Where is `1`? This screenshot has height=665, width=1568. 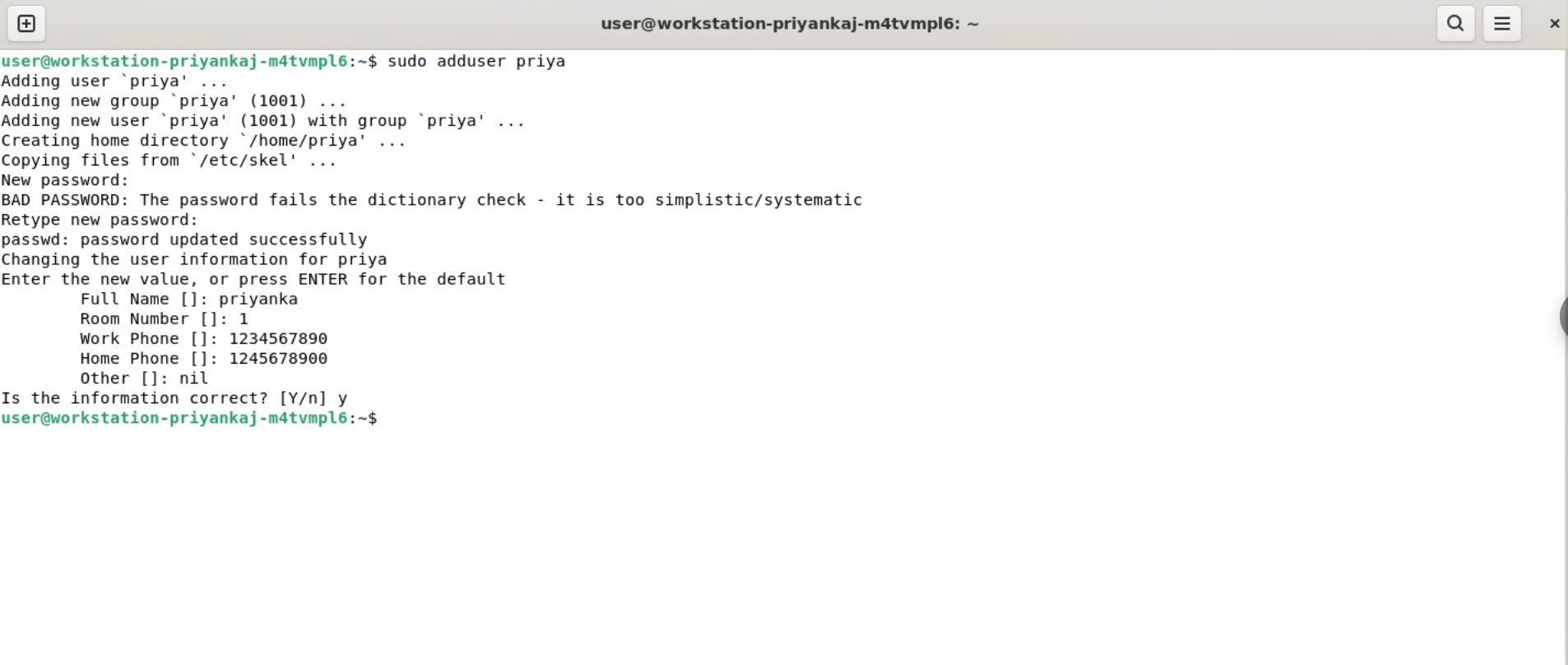
1 is located at coordinates (251, 319).